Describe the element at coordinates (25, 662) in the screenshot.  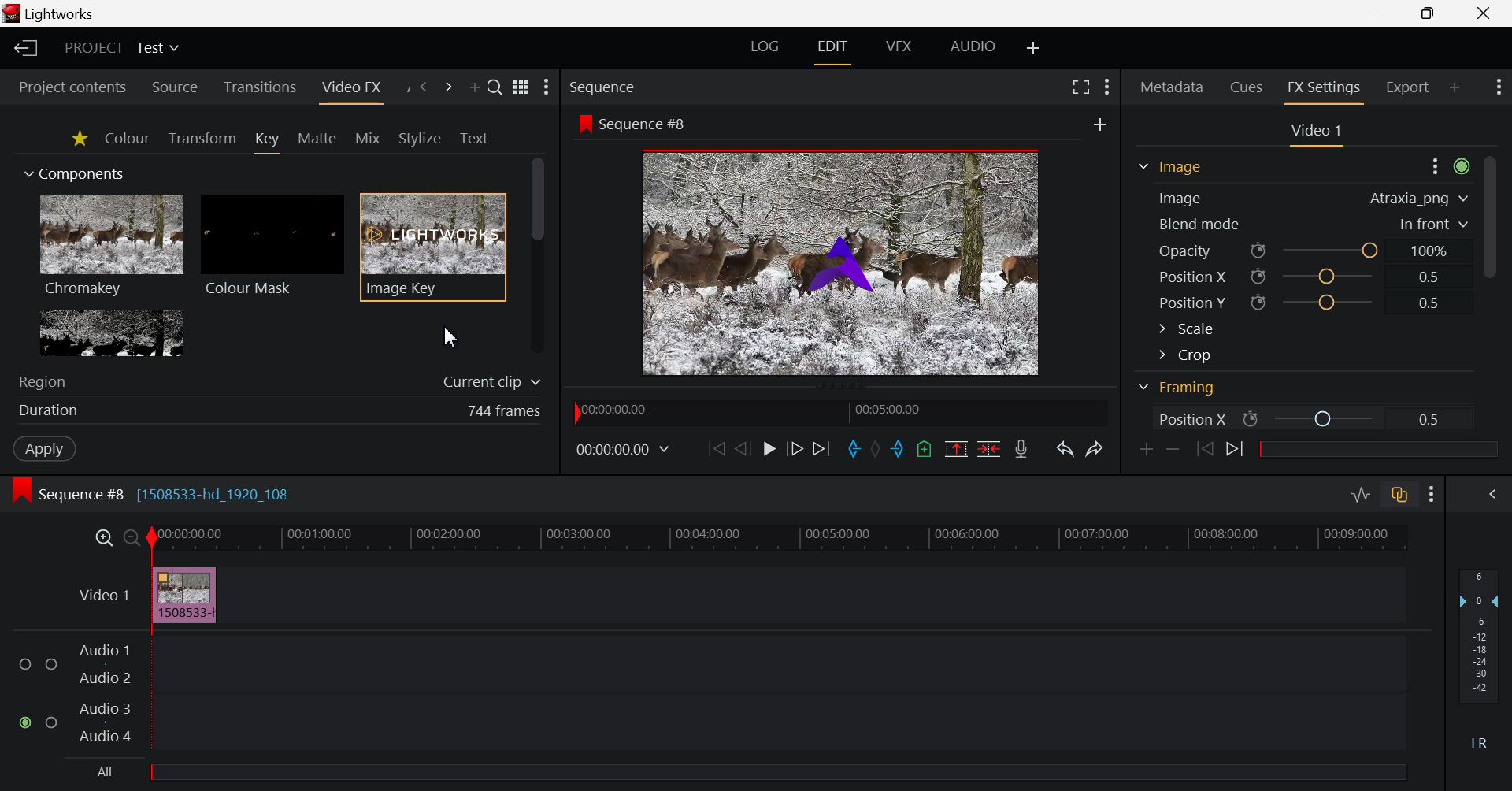
I see `checkbox` at that location.